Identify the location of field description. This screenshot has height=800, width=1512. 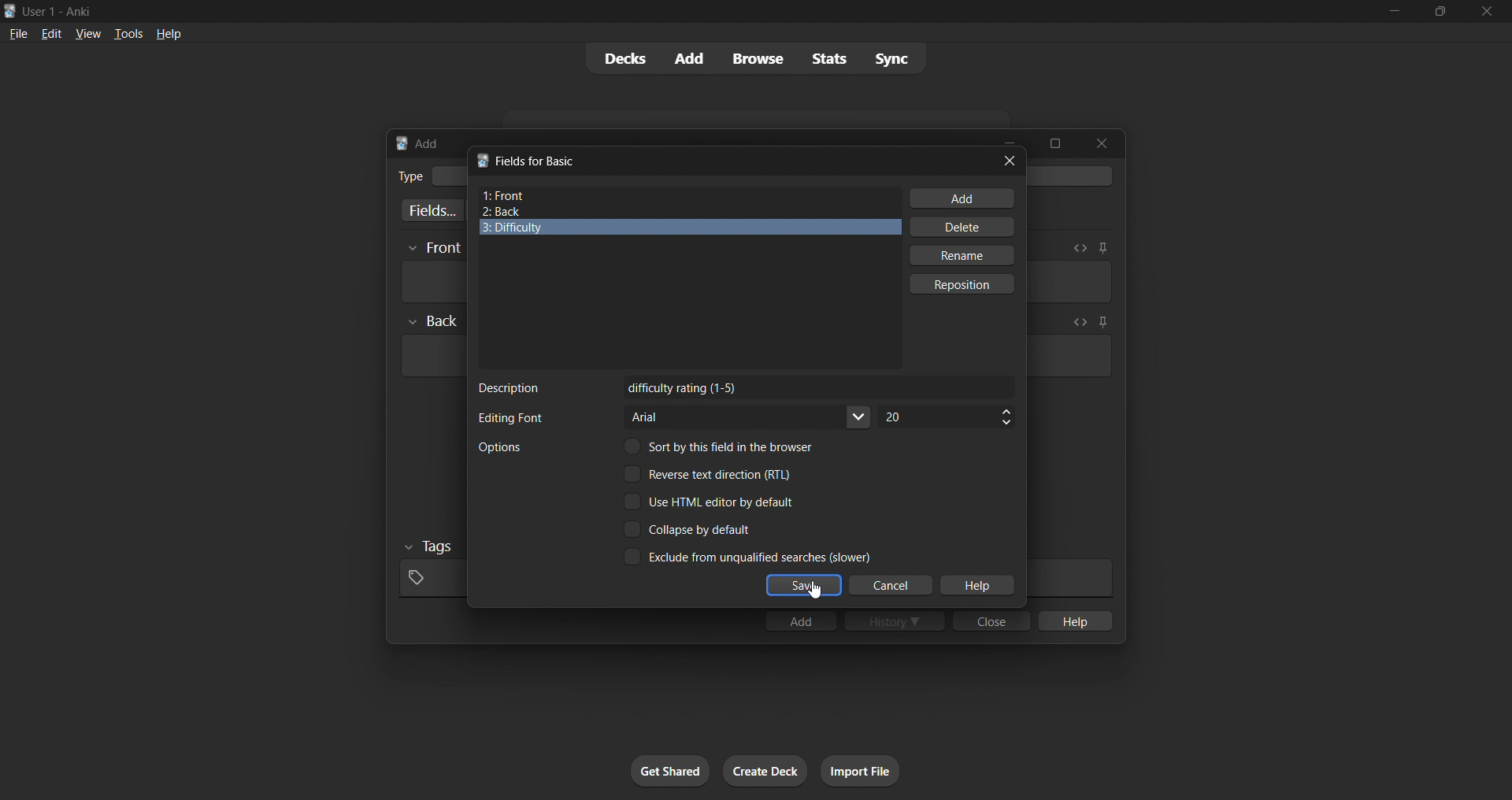
(819, 387).